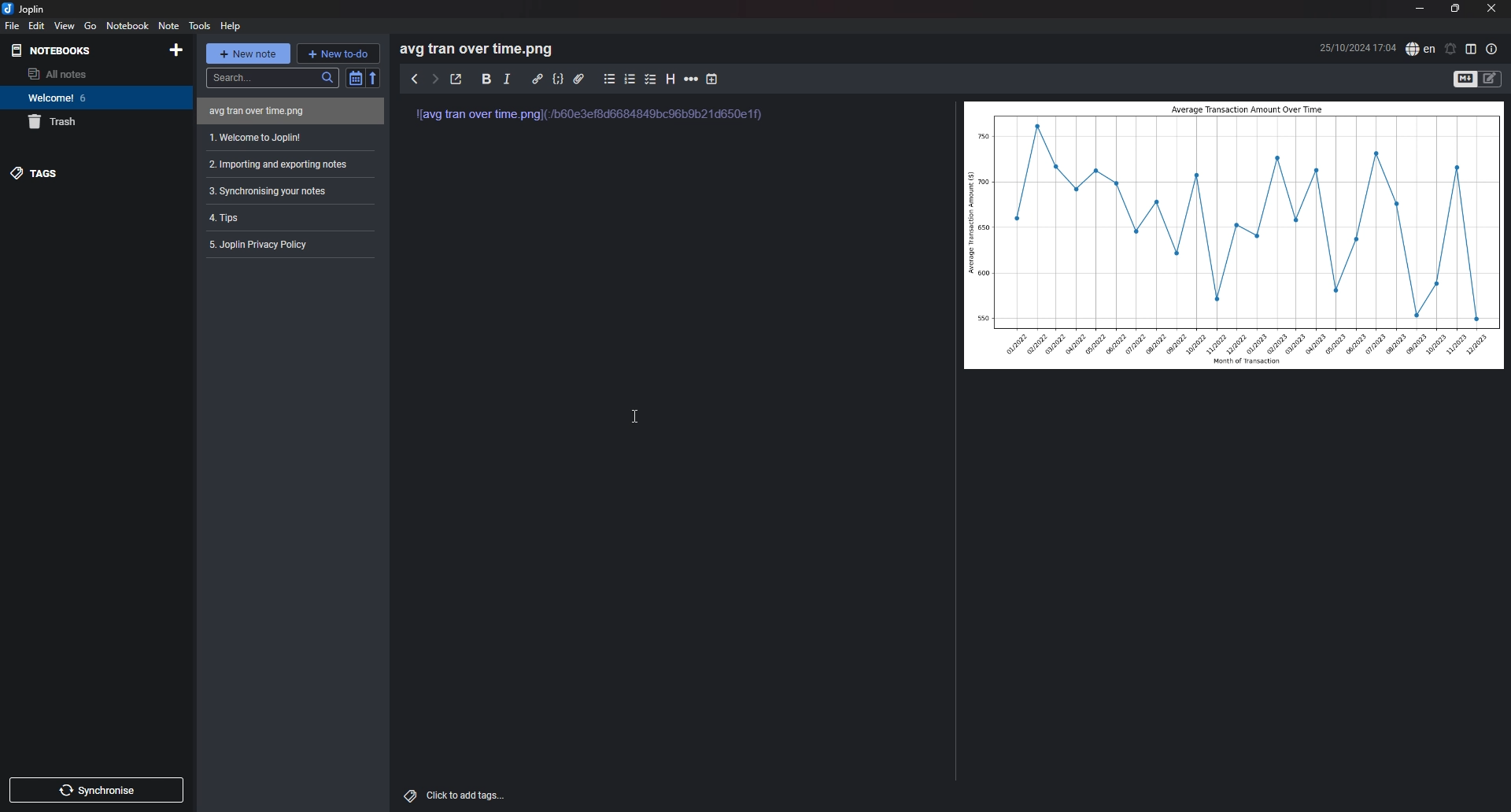  Describe the element at coordinates (692, 79) in the screenshot. I see `horizontal rule` at that location.